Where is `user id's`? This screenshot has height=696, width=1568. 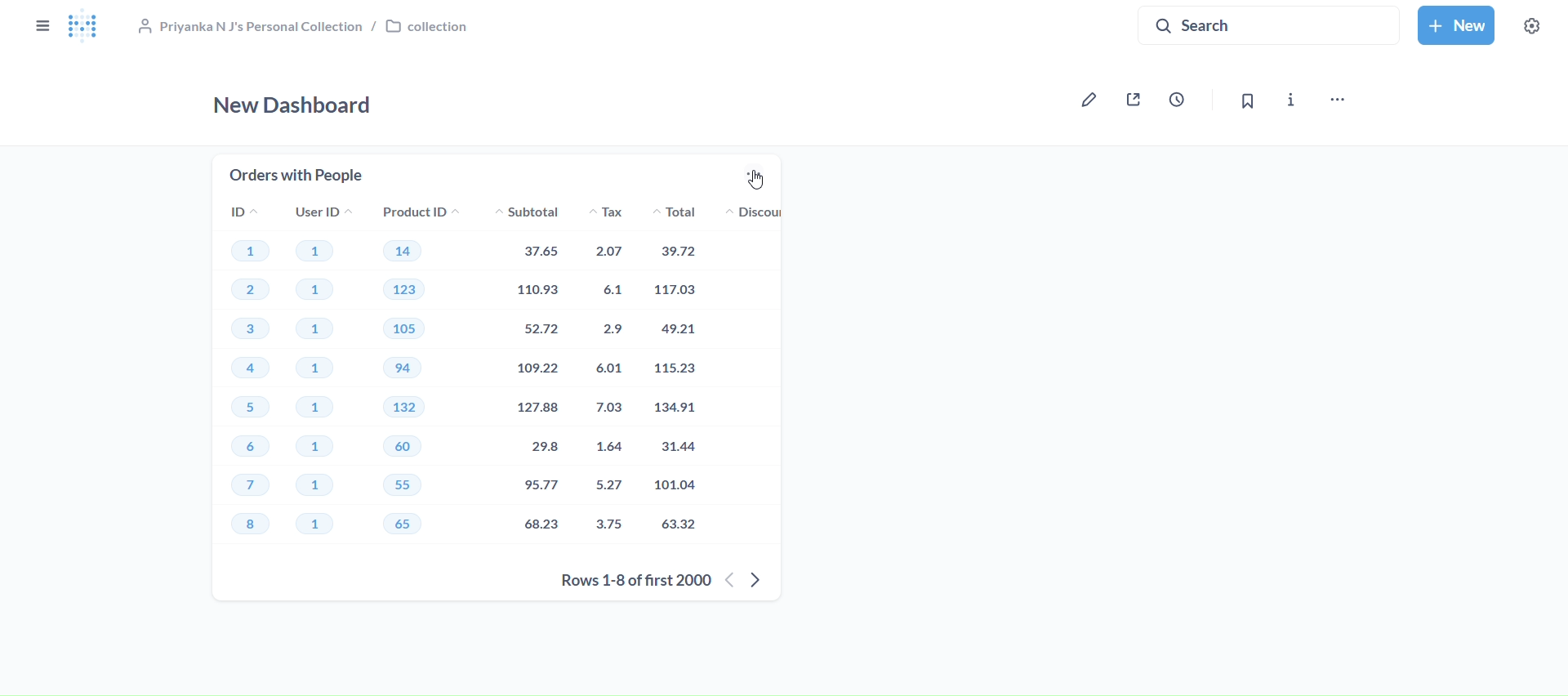 user id's is located at coordinates (322, 381).